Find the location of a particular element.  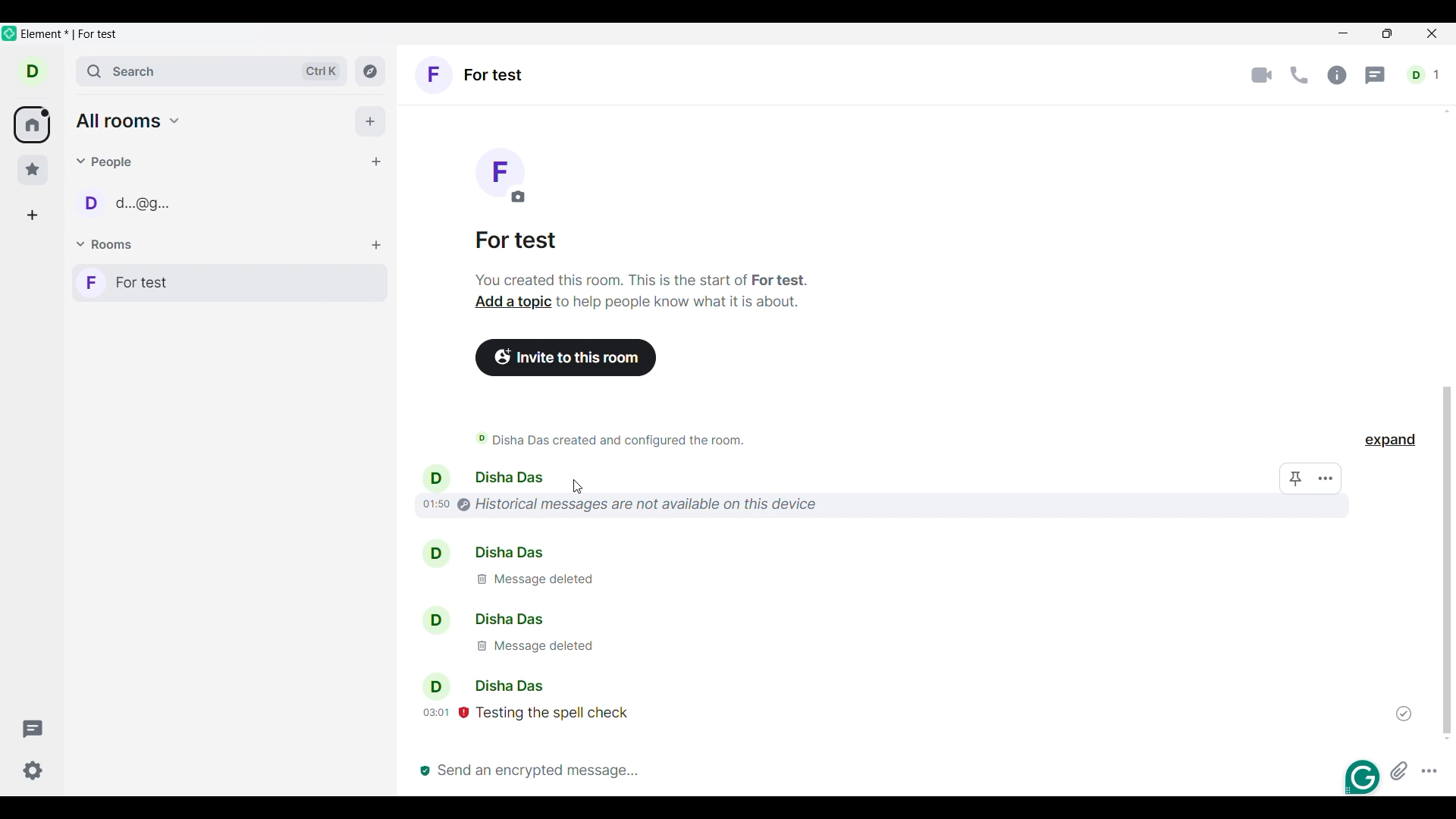

Indicates message was sent is located at coordinates (1404, 714).